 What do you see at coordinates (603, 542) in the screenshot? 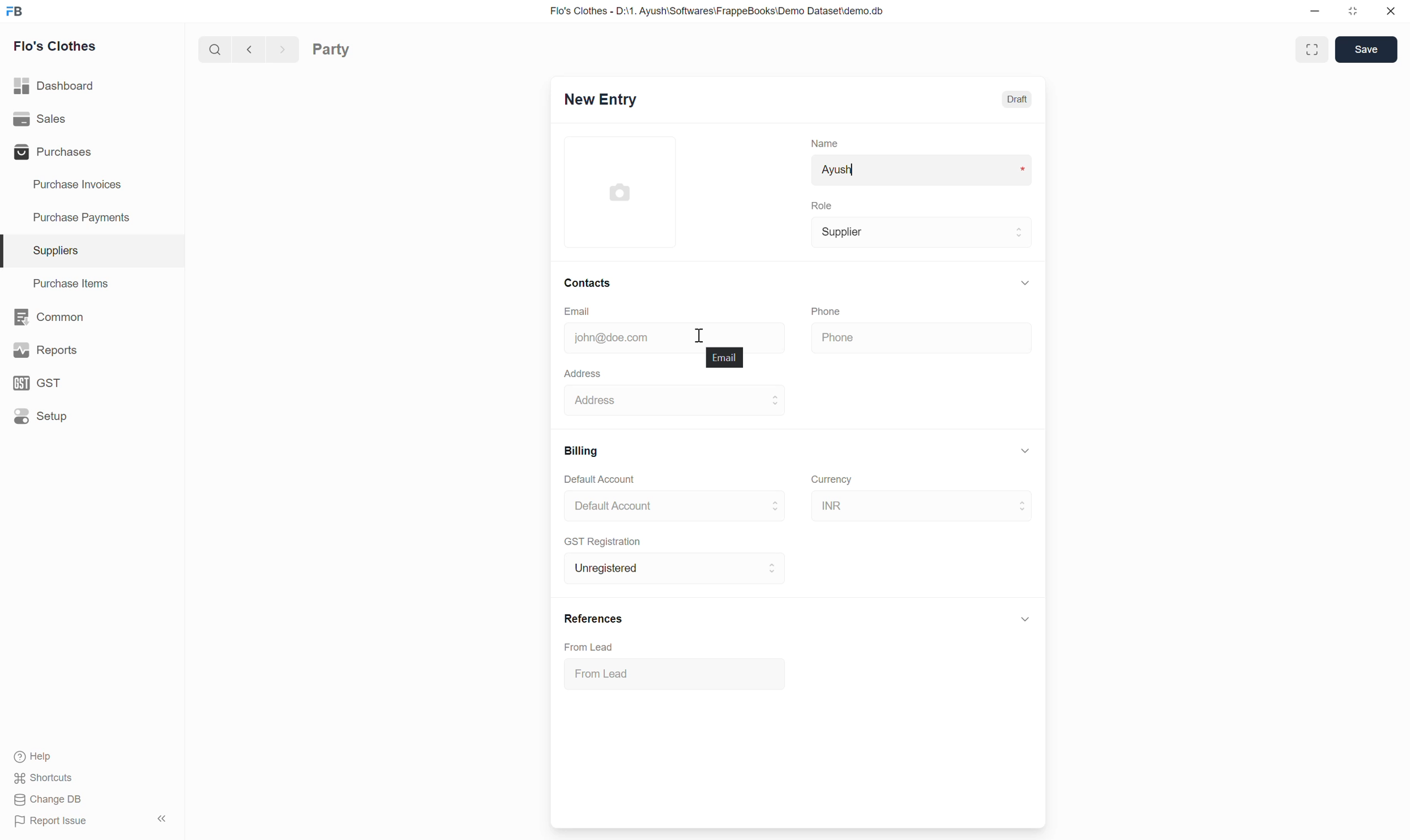
I see `GST Registration` at bounding box center [603, 542].